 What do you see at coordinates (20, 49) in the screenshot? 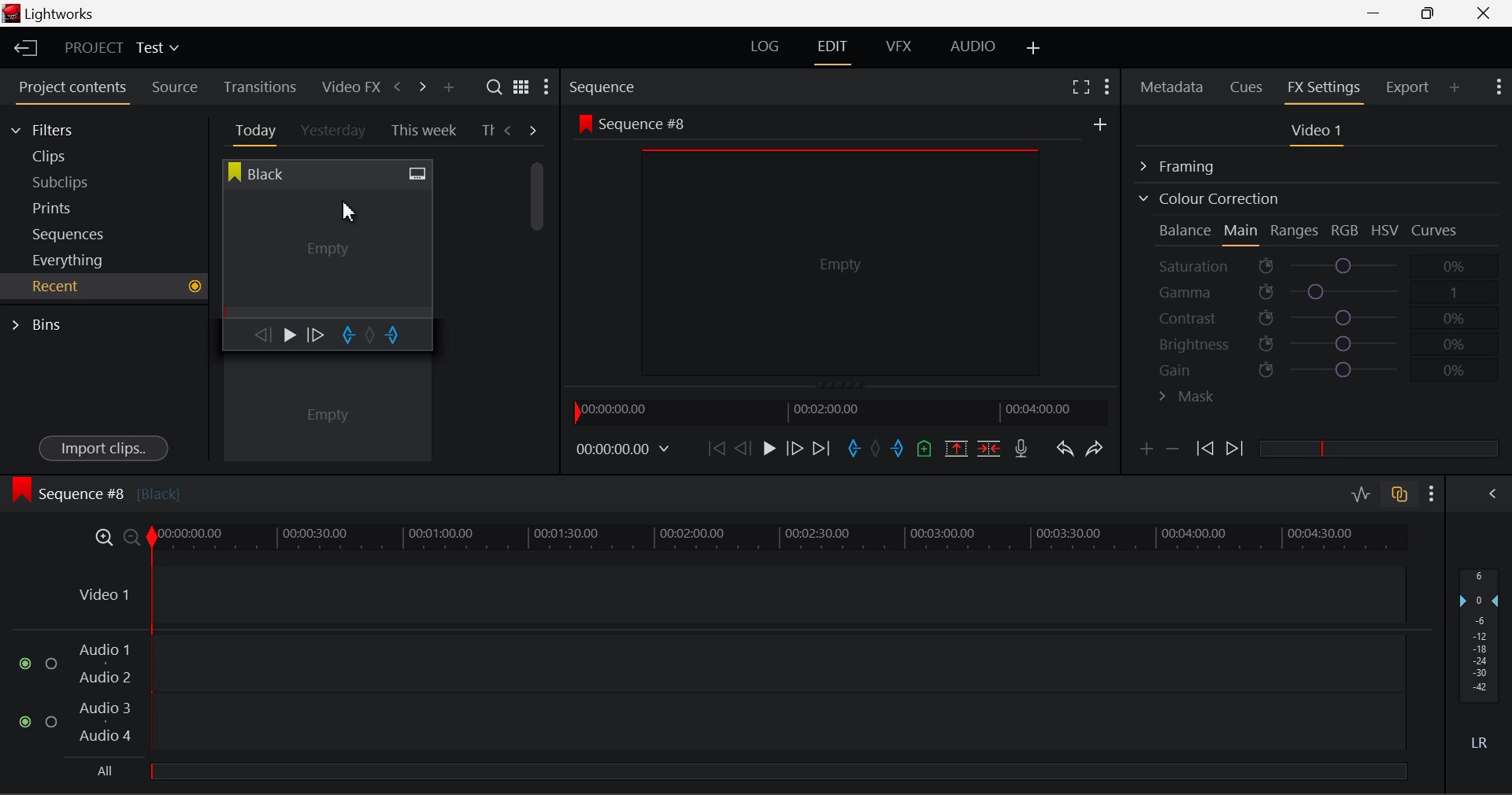
I see `Back to Homepage` at bounding box center [20, 49].